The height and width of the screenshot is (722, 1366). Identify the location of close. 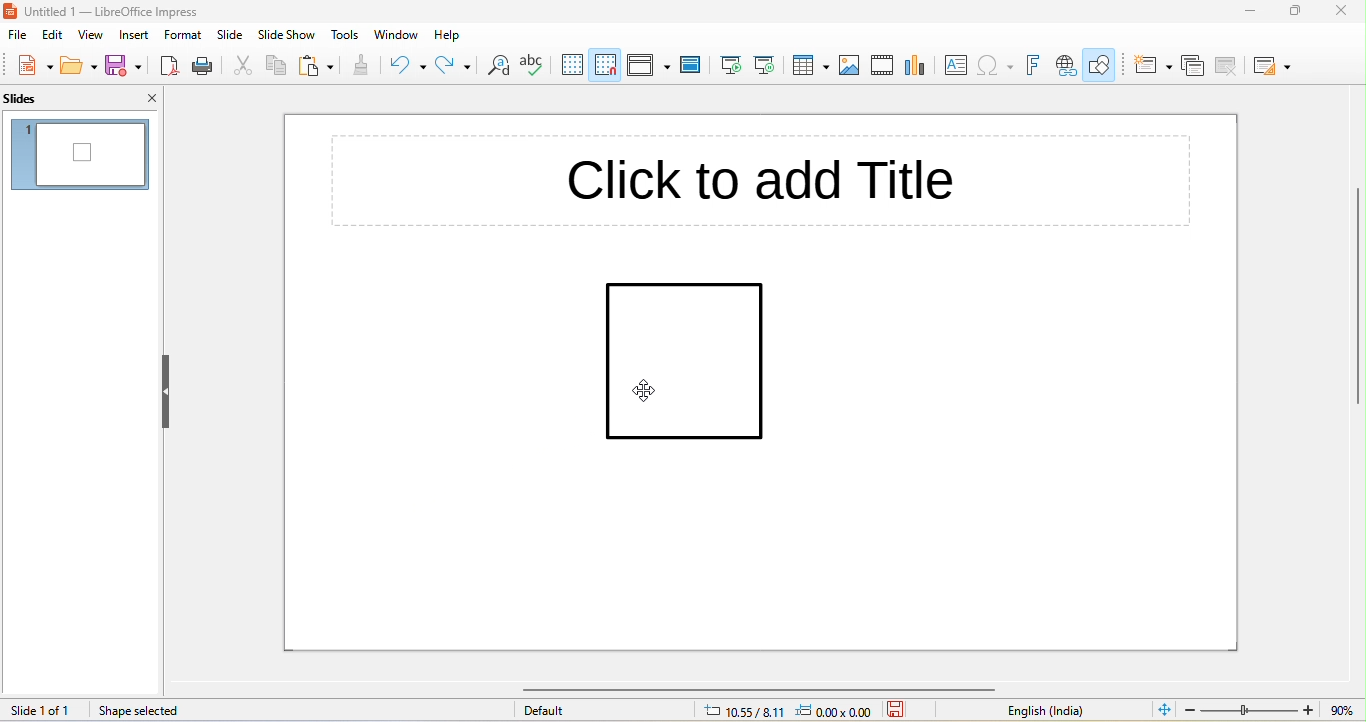
(138, 97).